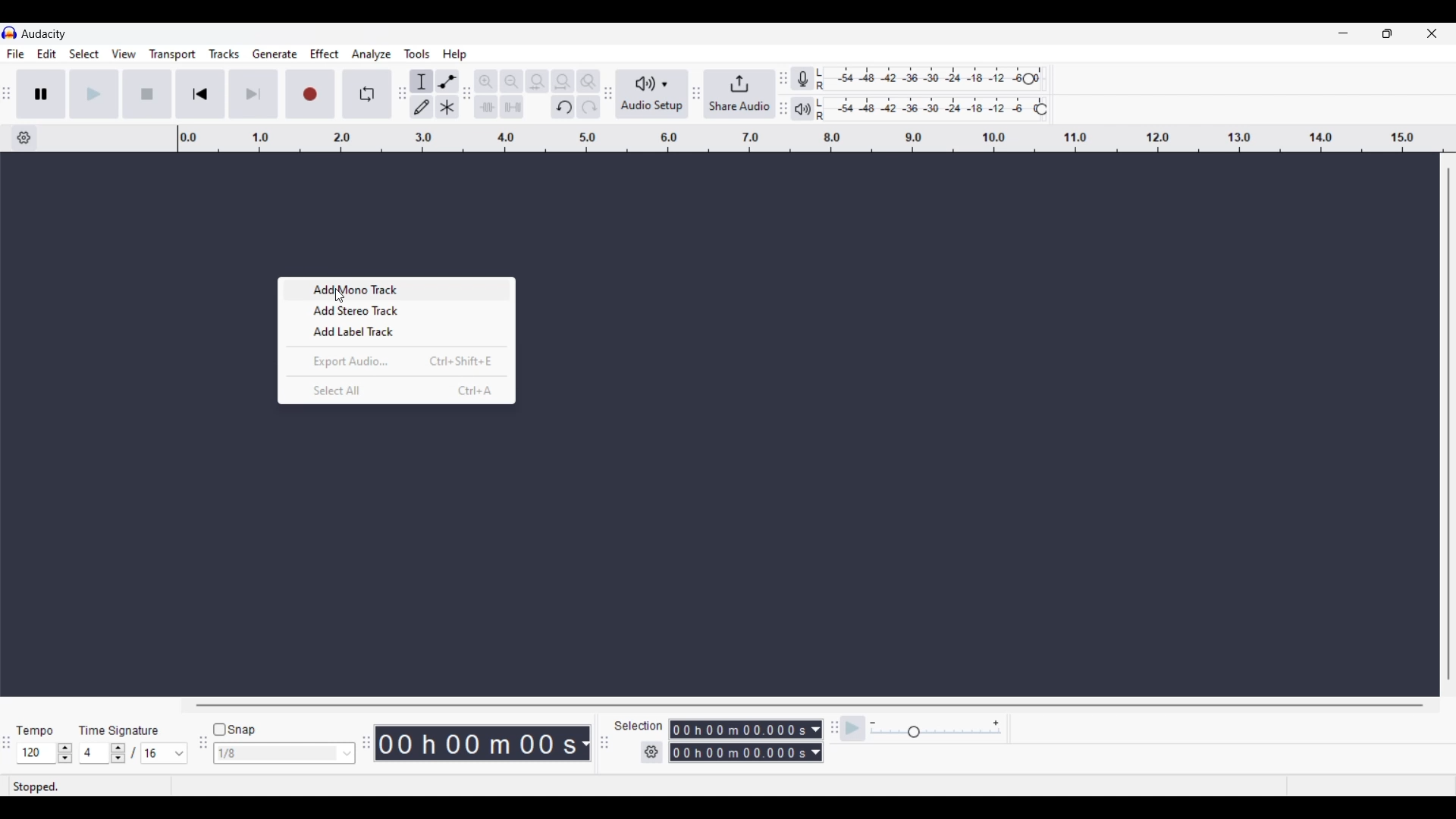  I want to click on Selected time signature, so click(156, 754).